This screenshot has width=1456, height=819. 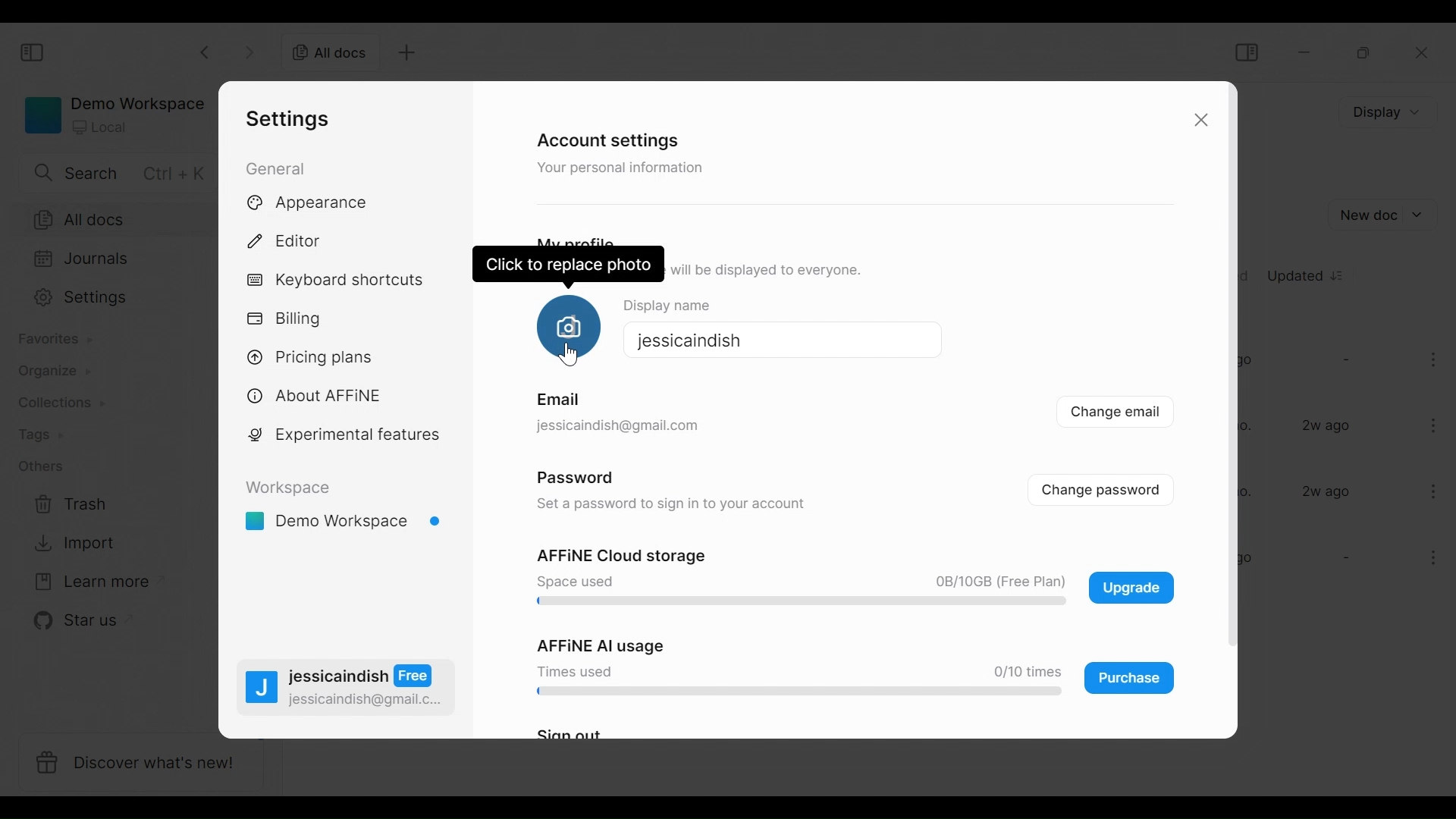 I want to click on Workspace, so click(x=289, y=488).